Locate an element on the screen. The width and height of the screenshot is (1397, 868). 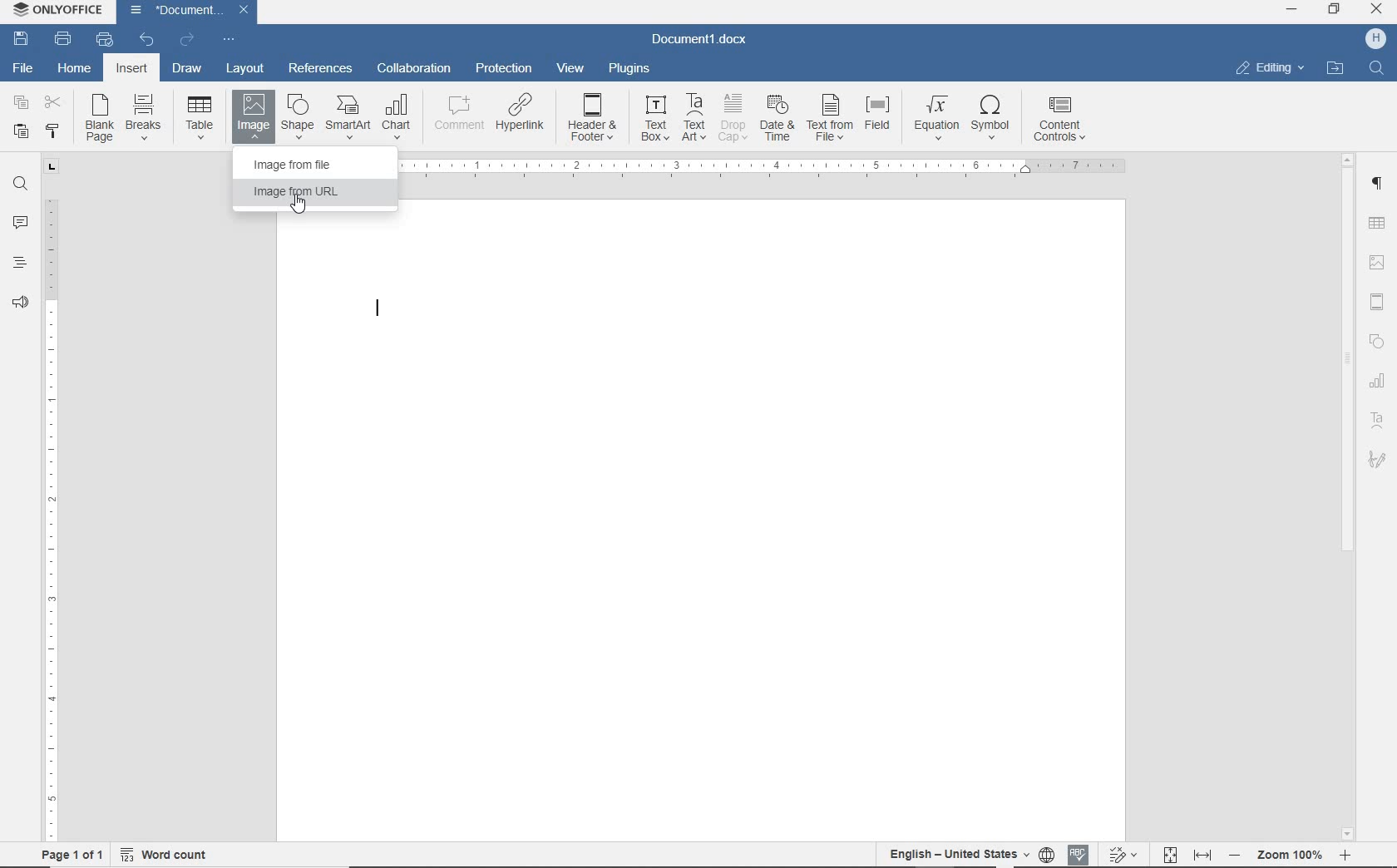
protection is located at coordinates (505, 72).